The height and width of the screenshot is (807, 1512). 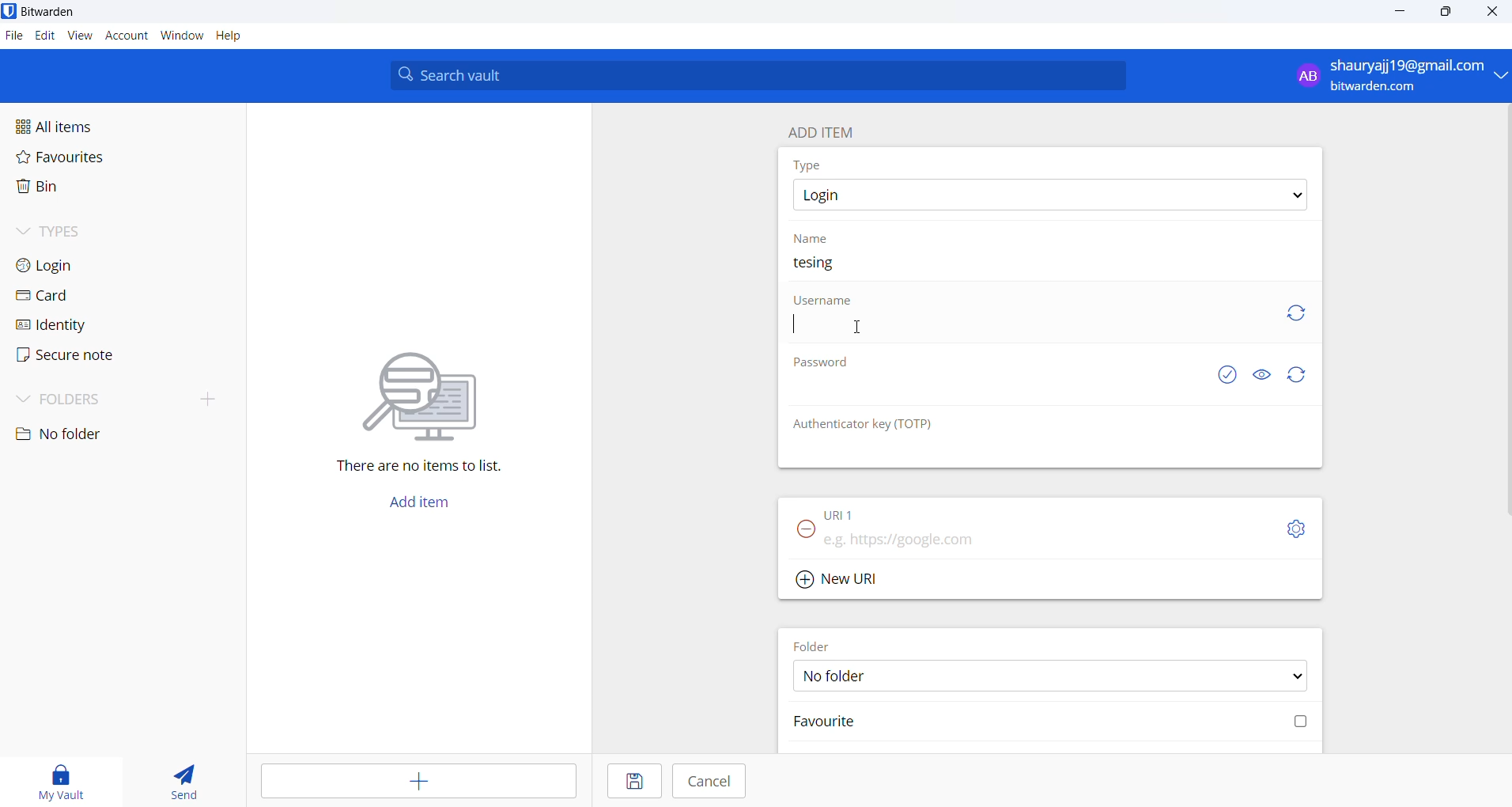 I want to click on toggle options, so click(x=1296, y=529).